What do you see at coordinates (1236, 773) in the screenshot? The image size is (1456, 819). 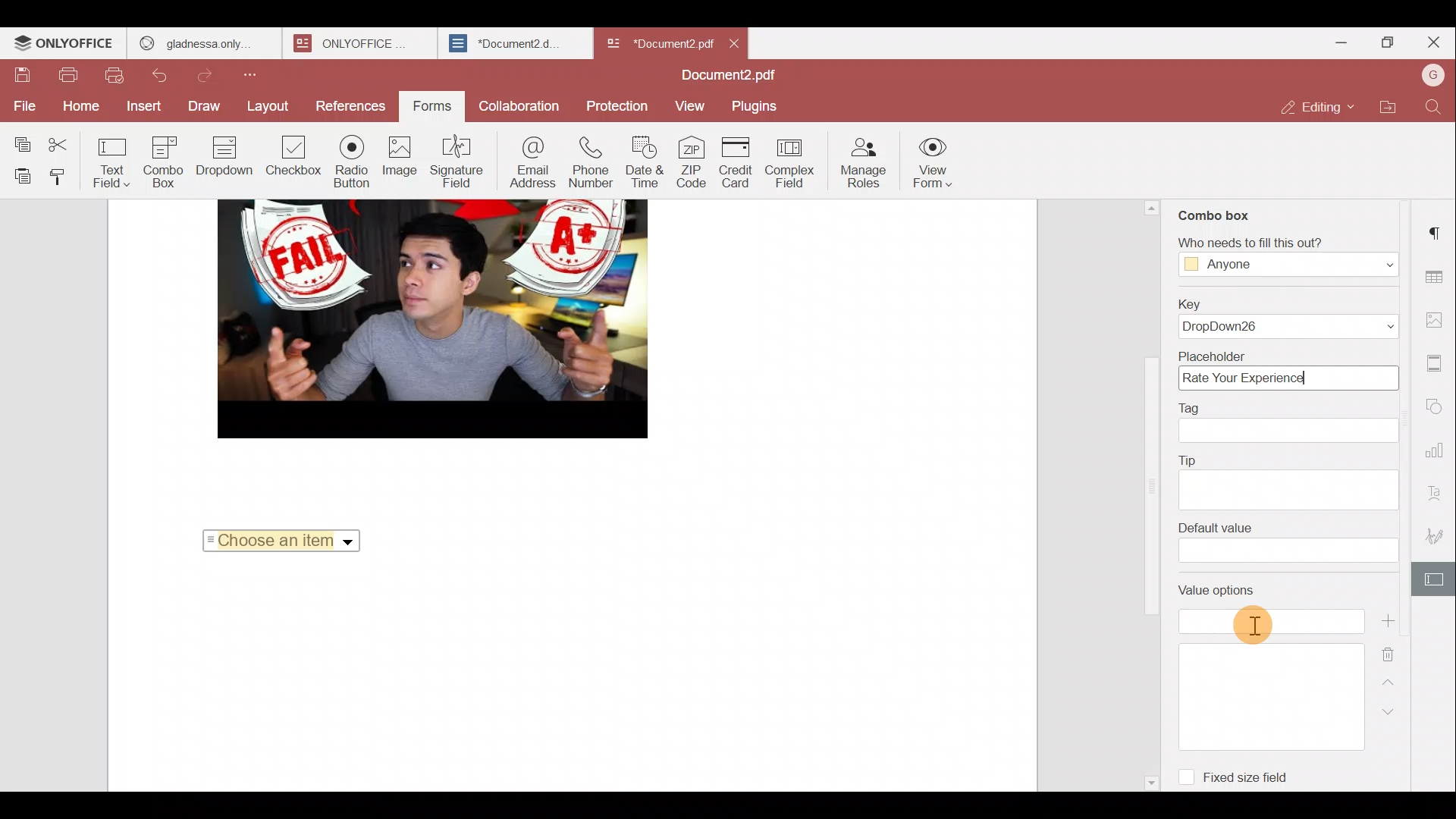 I see `Fixed size field` at bounding box center [1236, 773].